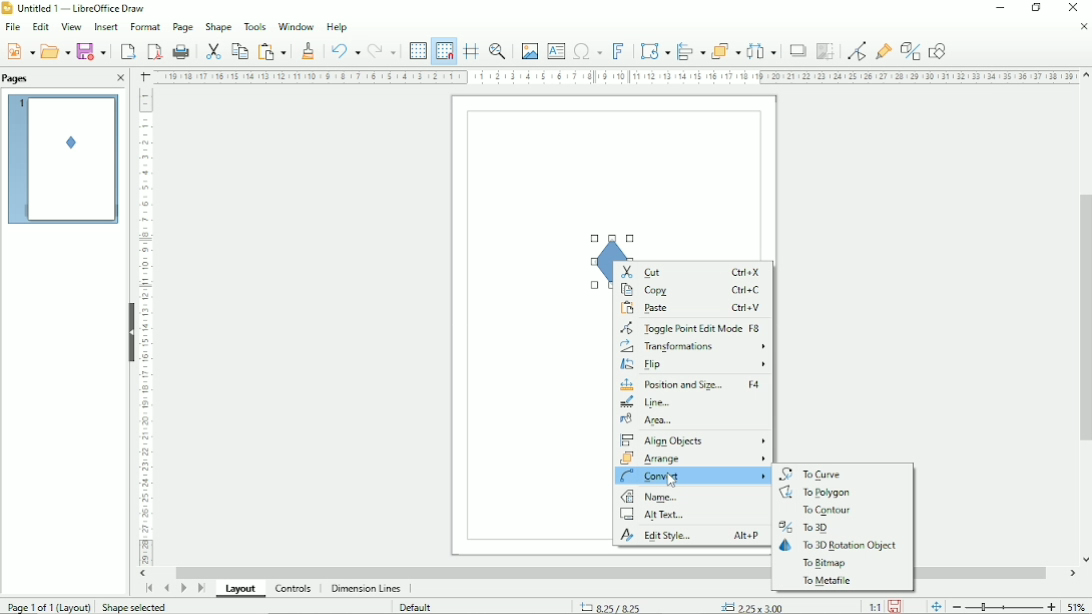  I want to click on To curve, so click(814, 473).